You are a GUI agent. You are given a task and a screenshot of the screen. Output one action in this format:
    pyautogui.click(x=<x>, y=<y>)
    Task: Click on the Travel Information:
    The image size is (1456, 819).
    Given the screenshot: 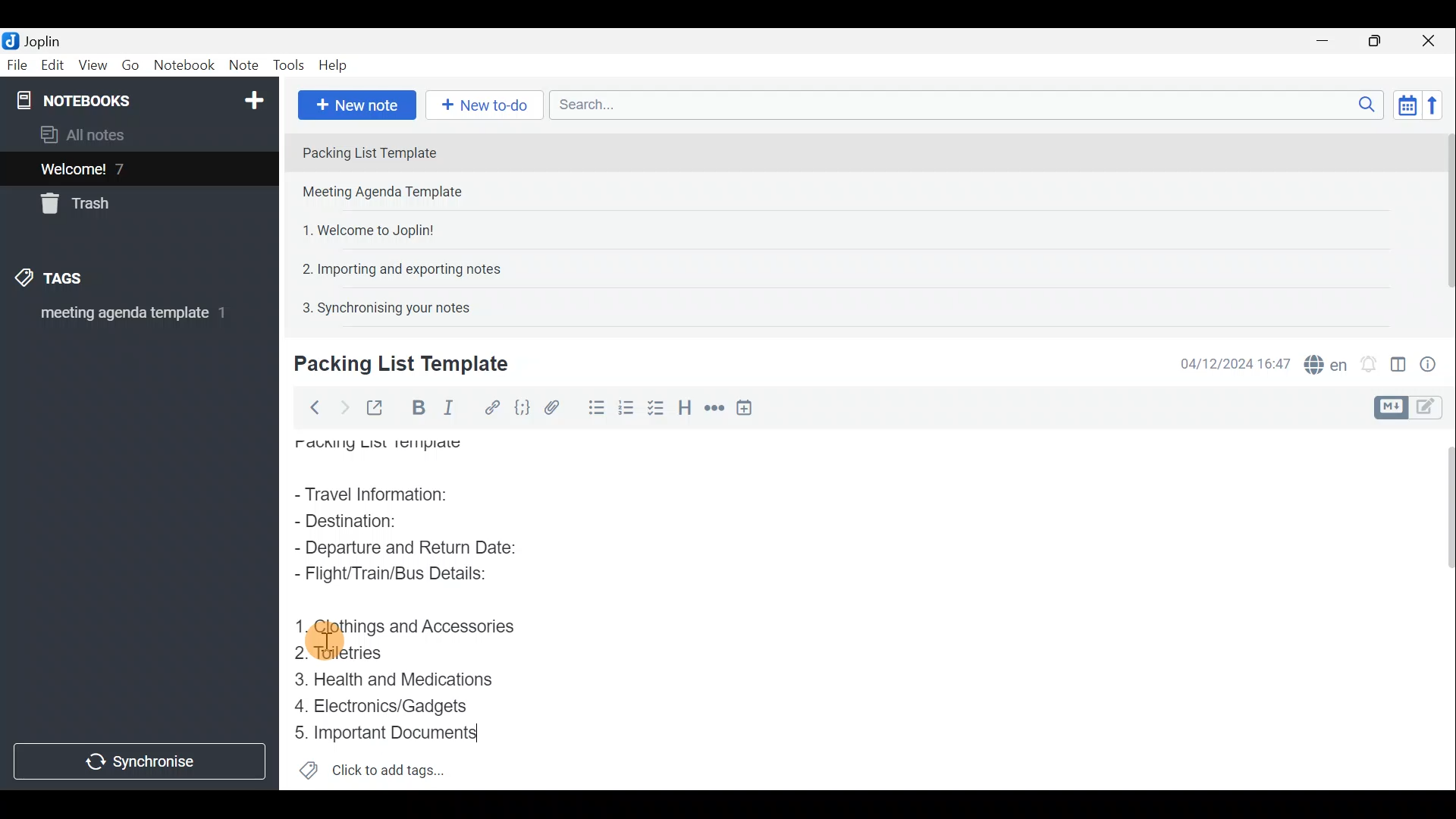 What is the action you would take?
    pyautogui.click(x=390, y=493)
    